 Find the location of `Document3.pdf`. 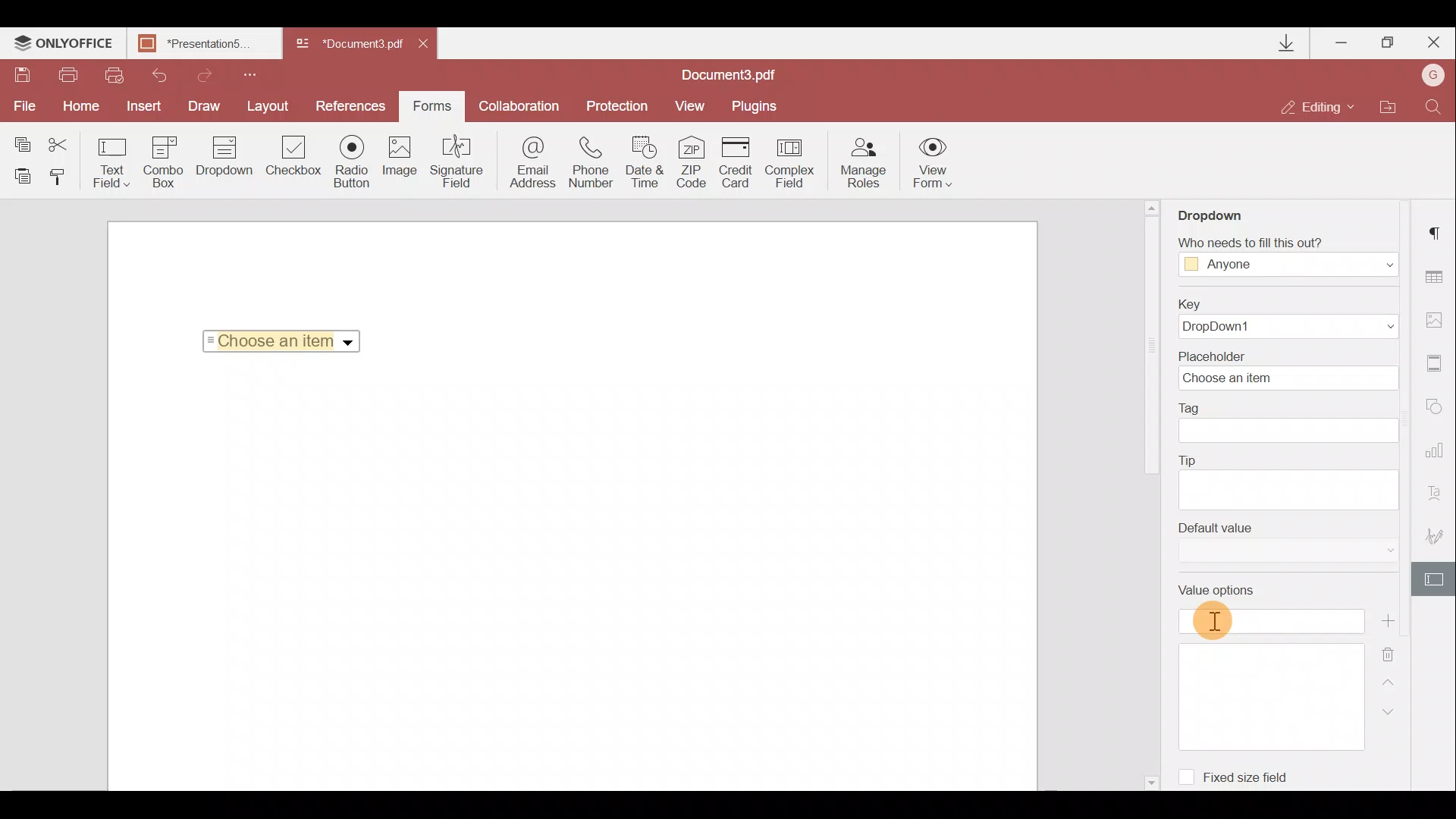

Document3.pdf is located at coordinates (747, 74).